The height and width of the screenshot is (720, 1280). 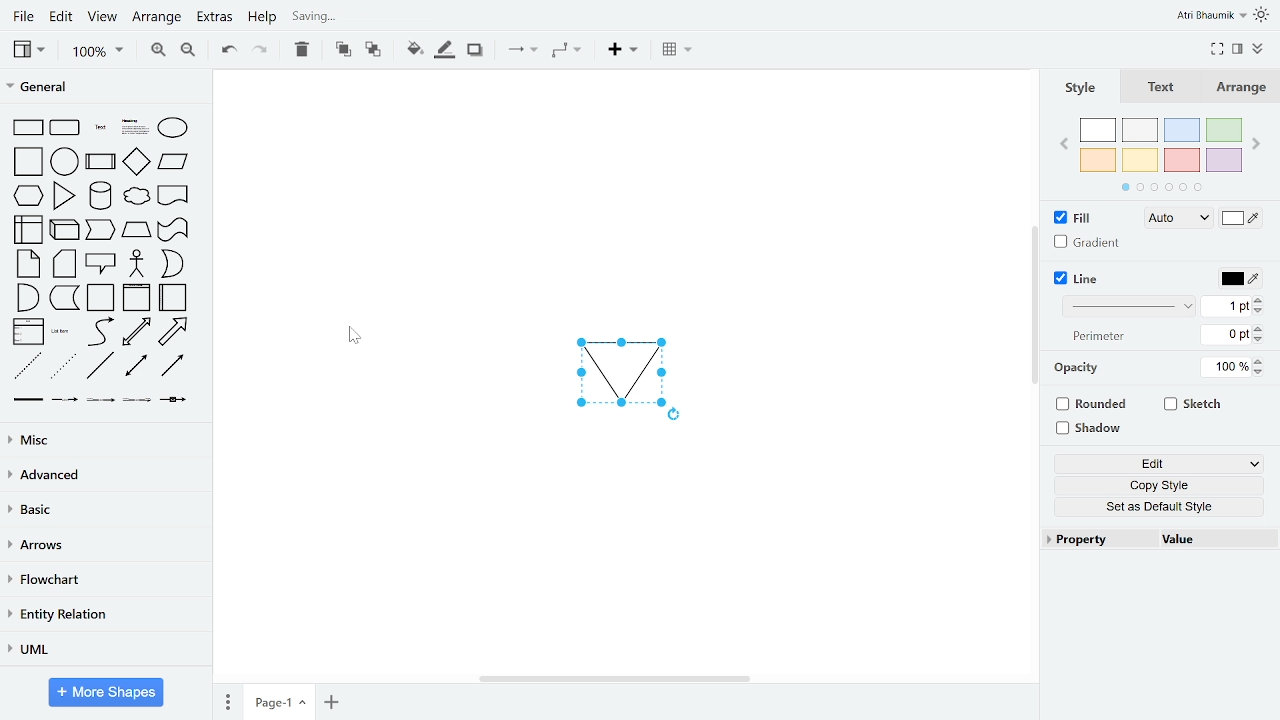 I want to click on connector, so click(x=522, y=50).